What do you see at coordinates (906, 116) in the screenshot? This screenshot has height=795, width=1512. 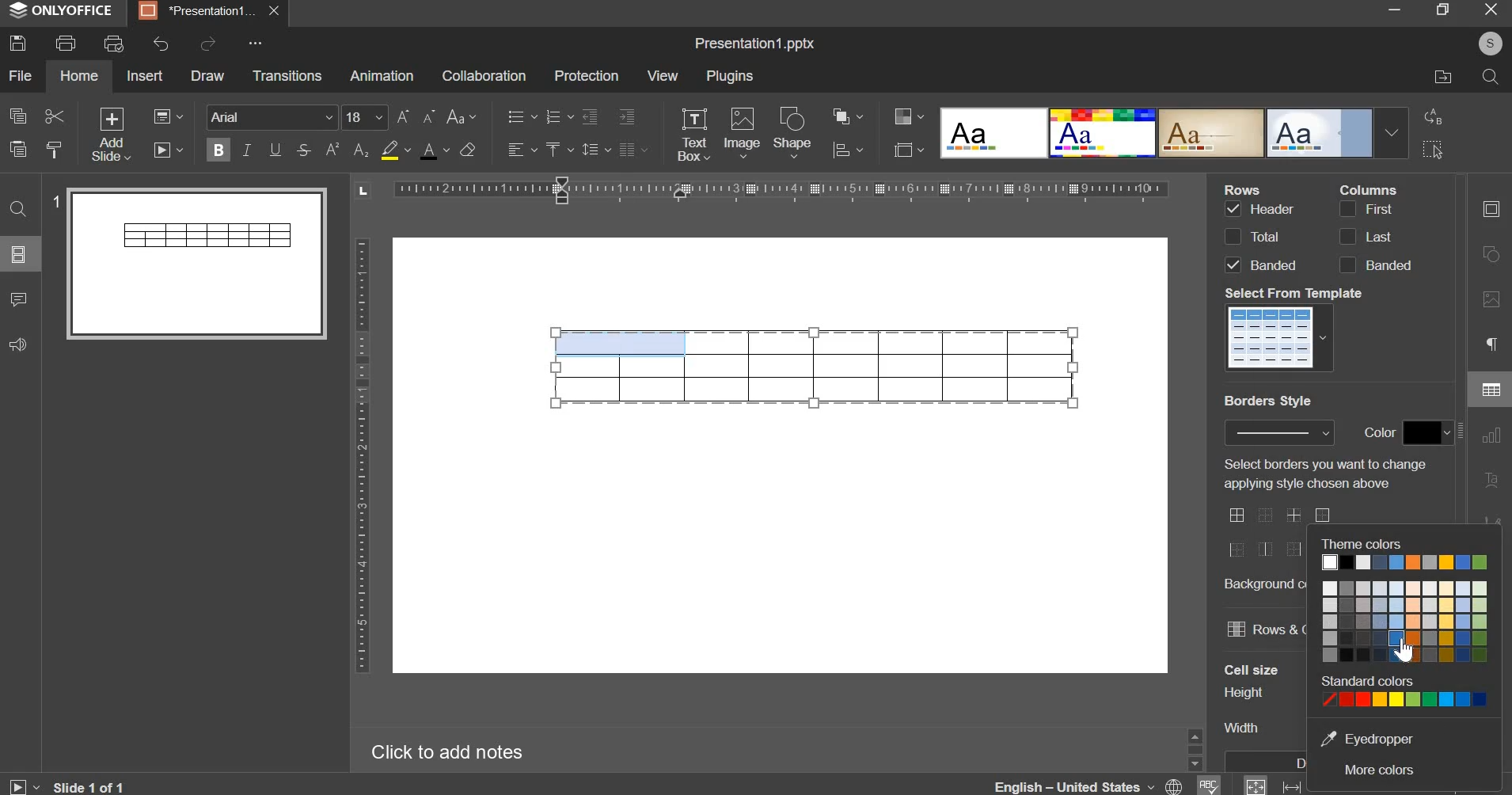 I see `design color` at bounding box center [906, 116].